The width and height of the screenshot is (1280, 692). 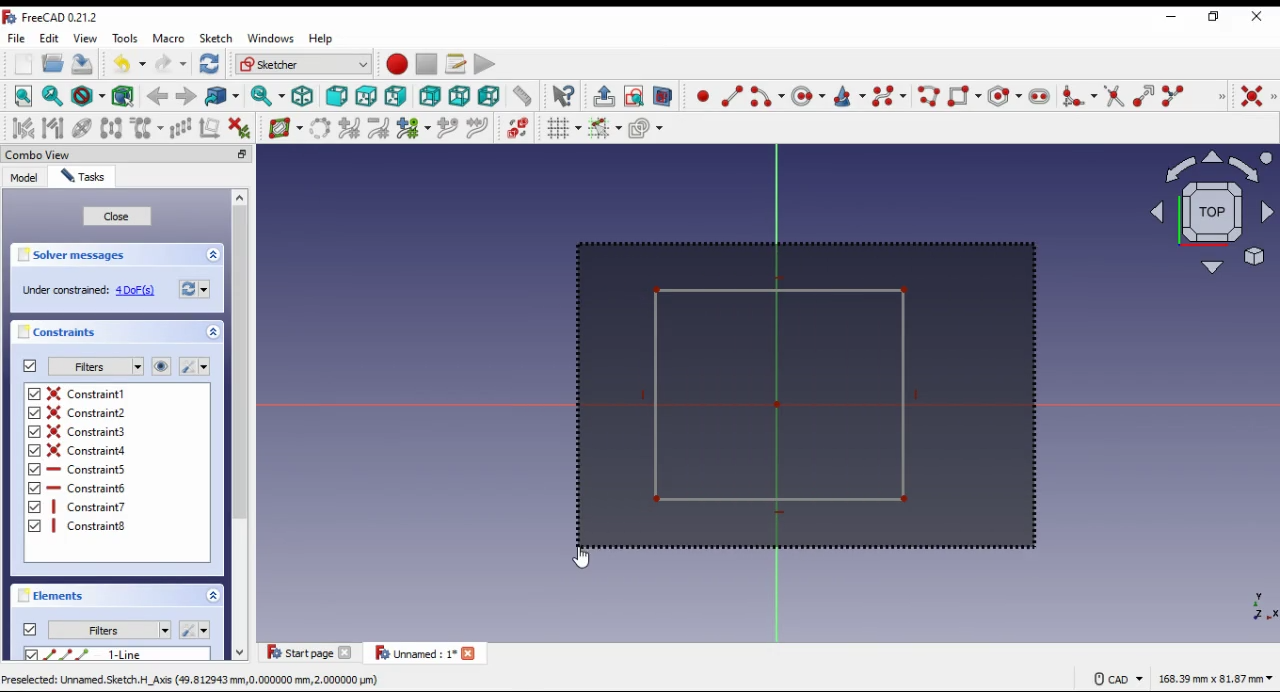 What do you see at coordinates (270, 38) in the screenshot?
I see `windows` at bounding box center [270, 38].